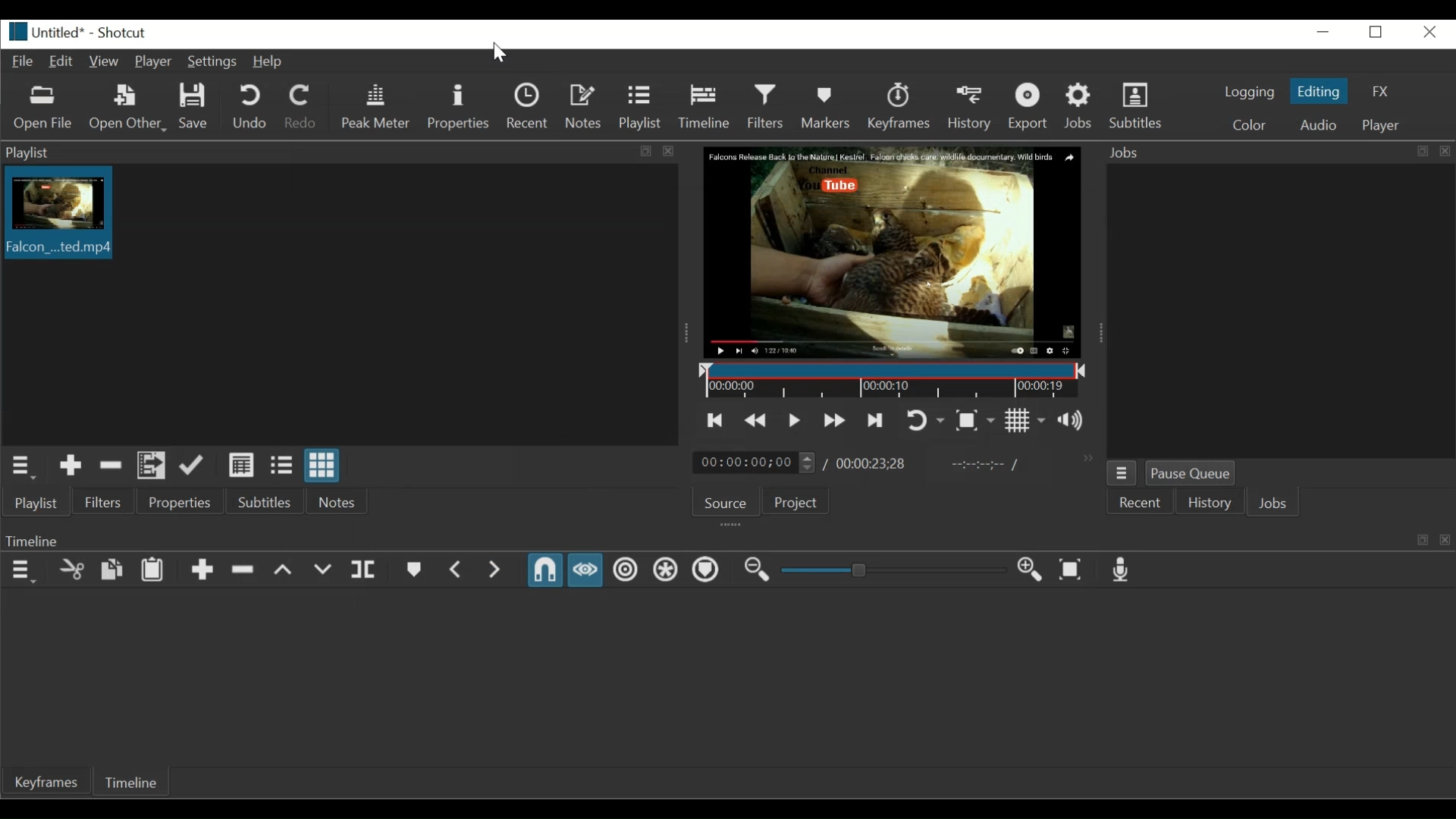 Image resolution: width=1456 pixels, height=819 pixels. What do you see at coordinates (265, 501) in the screenshot?
I see `Subtitles` at bounding box center [265, 501].